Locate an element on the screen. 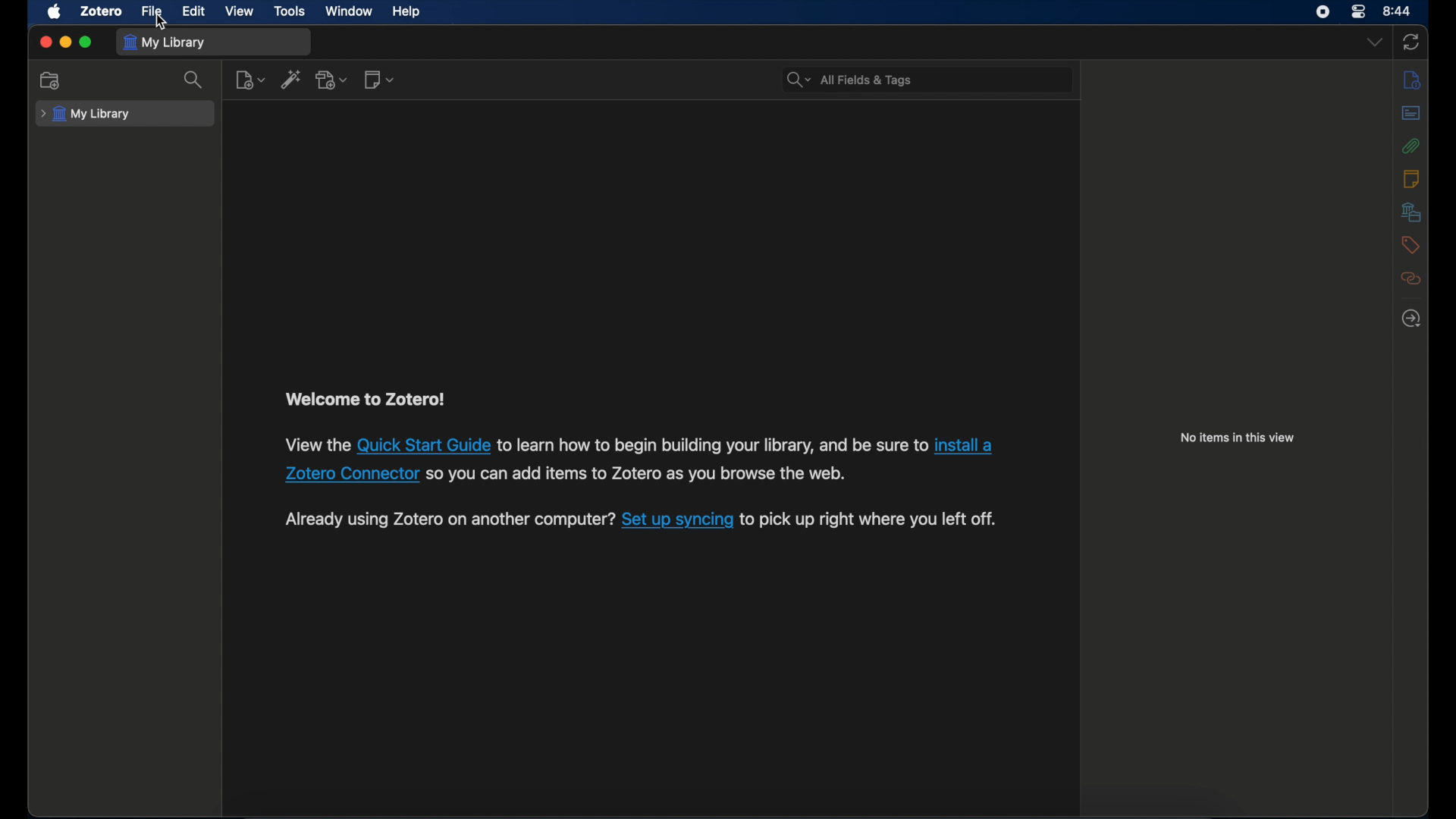 This screenshot has width=1456, height=819. software information is located at coordinates (871, 520).